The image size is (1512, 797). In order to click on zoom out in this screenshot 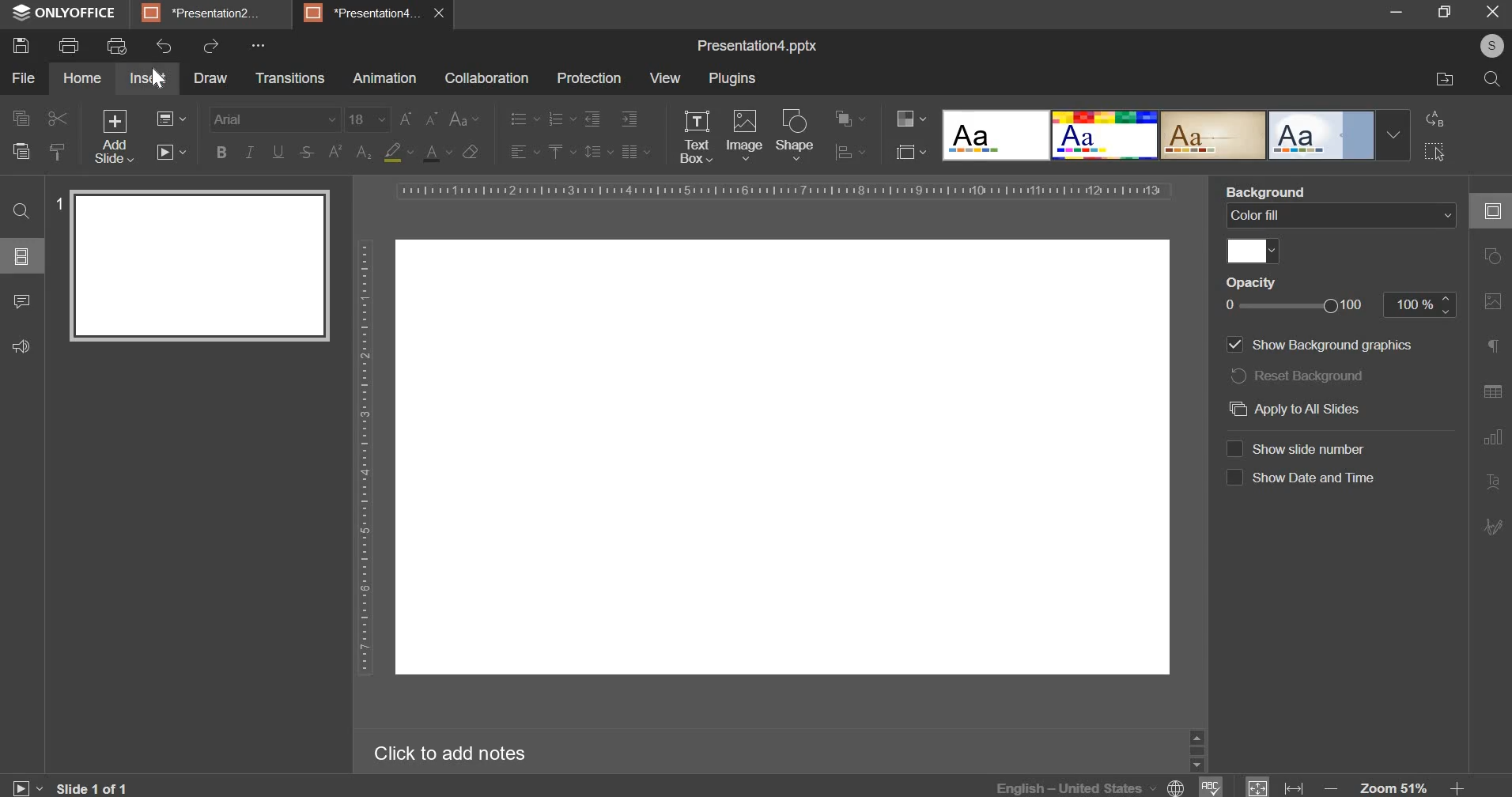, I will do `click(1331, 788)`.